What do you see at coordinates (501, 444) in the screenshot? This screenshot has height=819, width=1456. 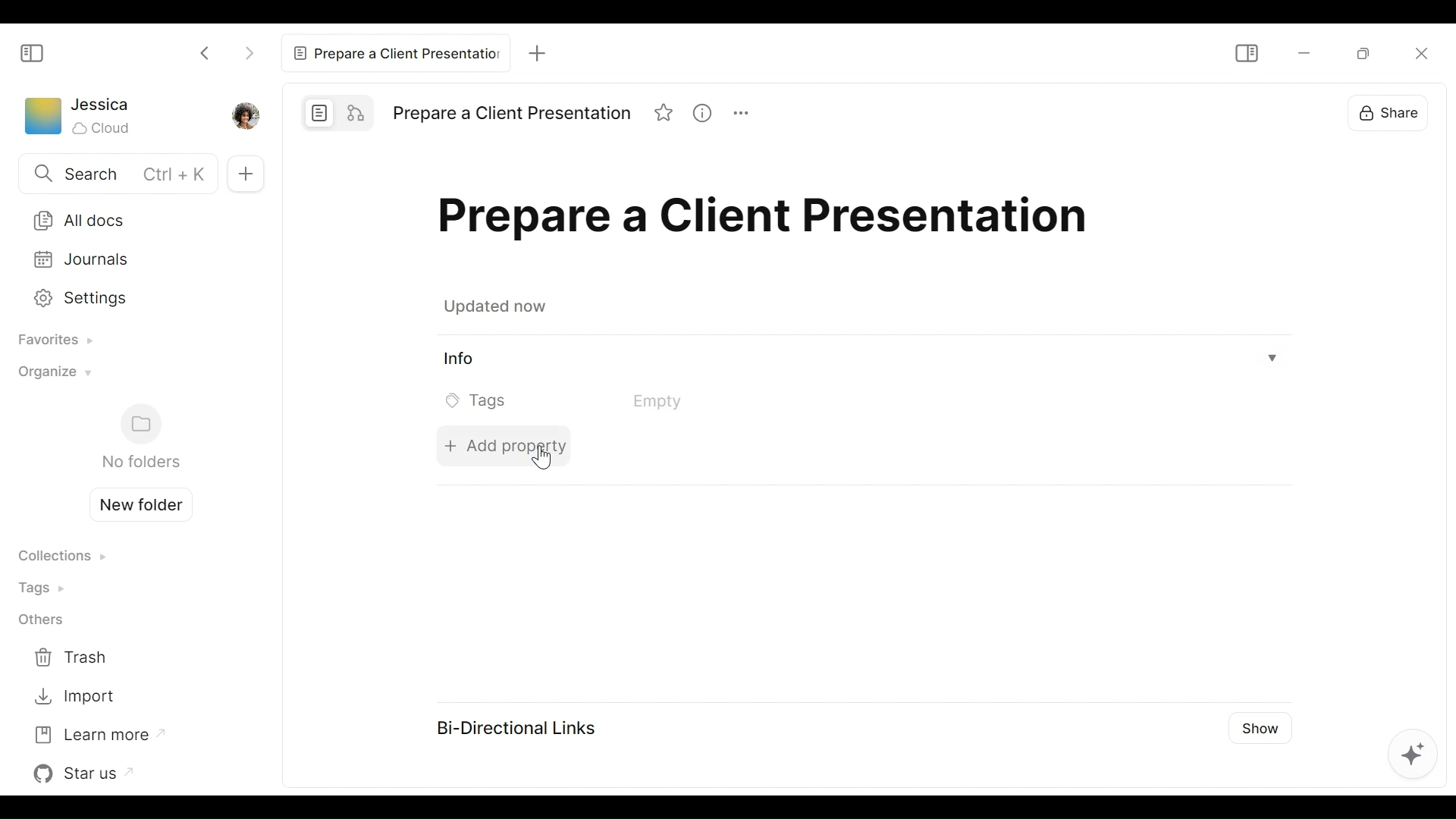 I see `Add property` at bounding box center [501, 444].